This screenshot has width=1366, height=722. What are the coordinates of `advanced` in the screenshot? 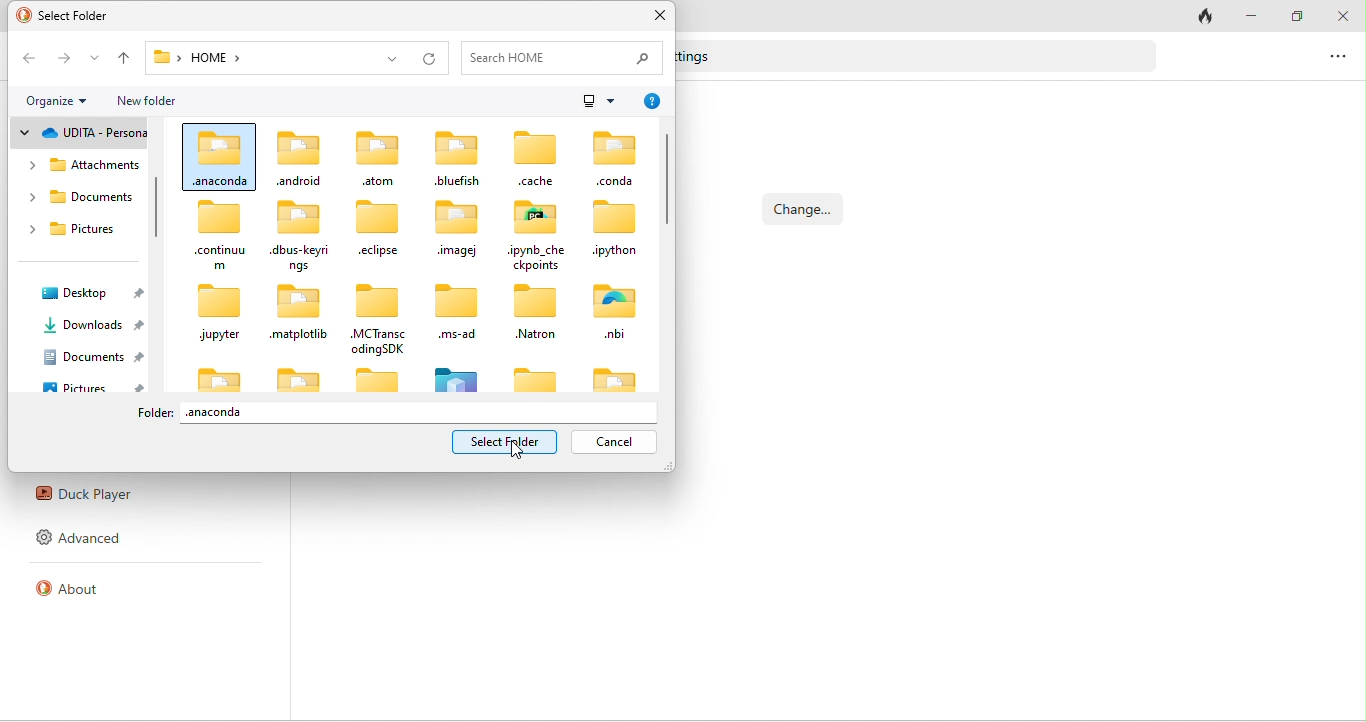 It's located at (82, 542).